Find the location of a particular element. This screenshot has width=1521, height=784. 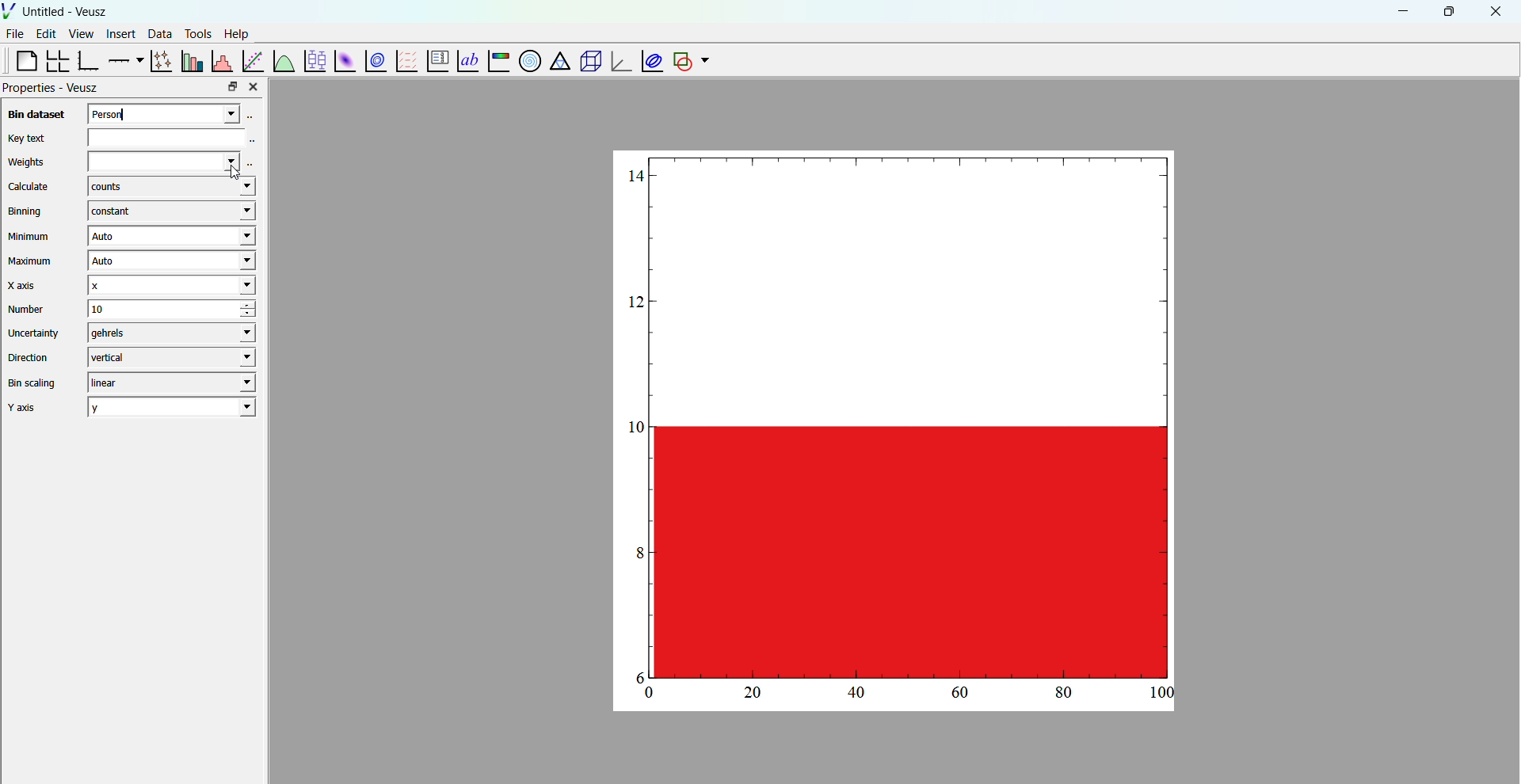

cursor is located at coordinates (246, 174).